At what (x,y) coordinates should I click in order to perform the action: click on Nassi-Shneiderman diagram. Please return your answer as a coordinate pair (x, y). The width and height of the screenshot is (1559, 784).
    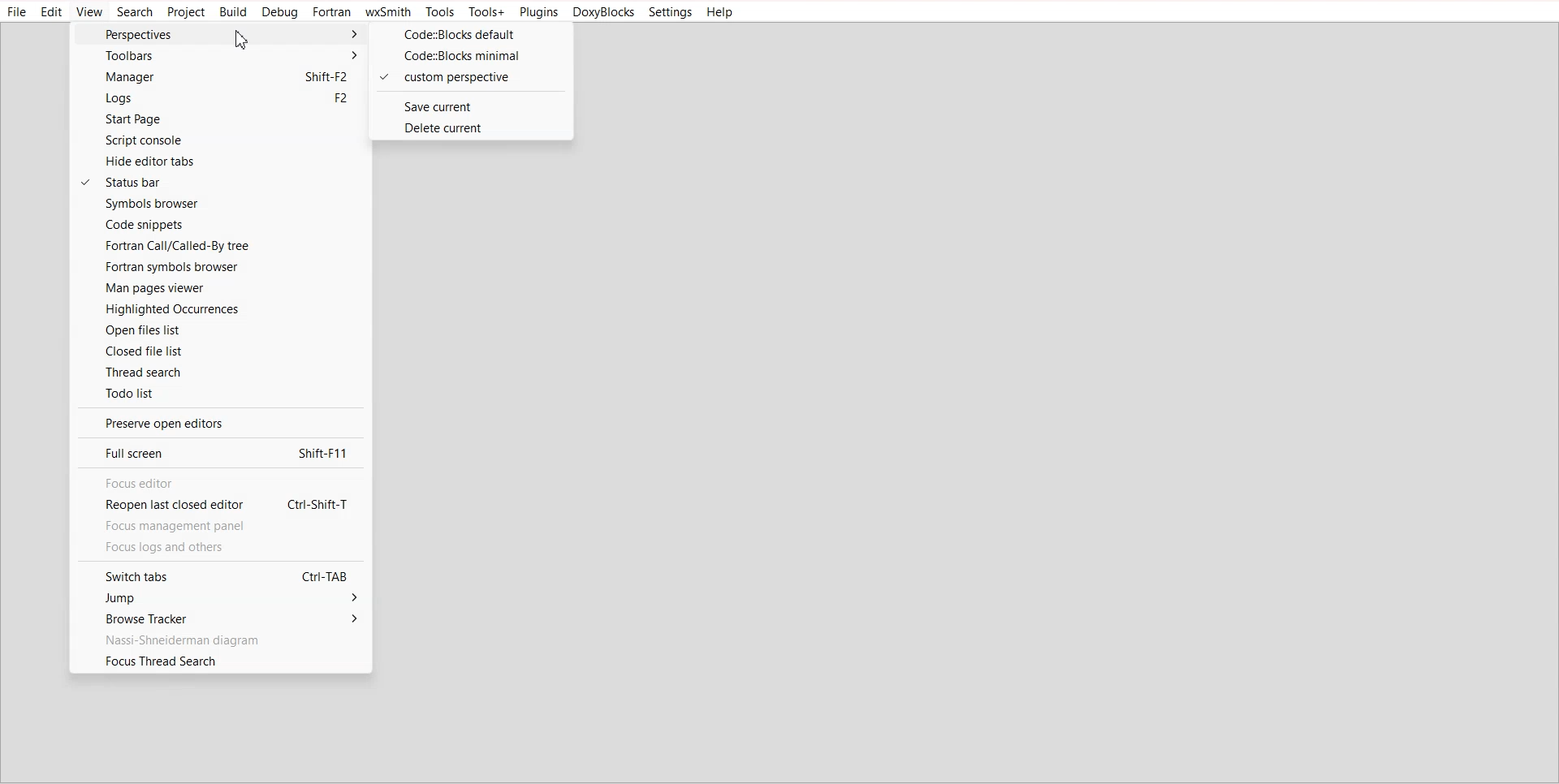
    Looking at the image, I should click on (218, 639).